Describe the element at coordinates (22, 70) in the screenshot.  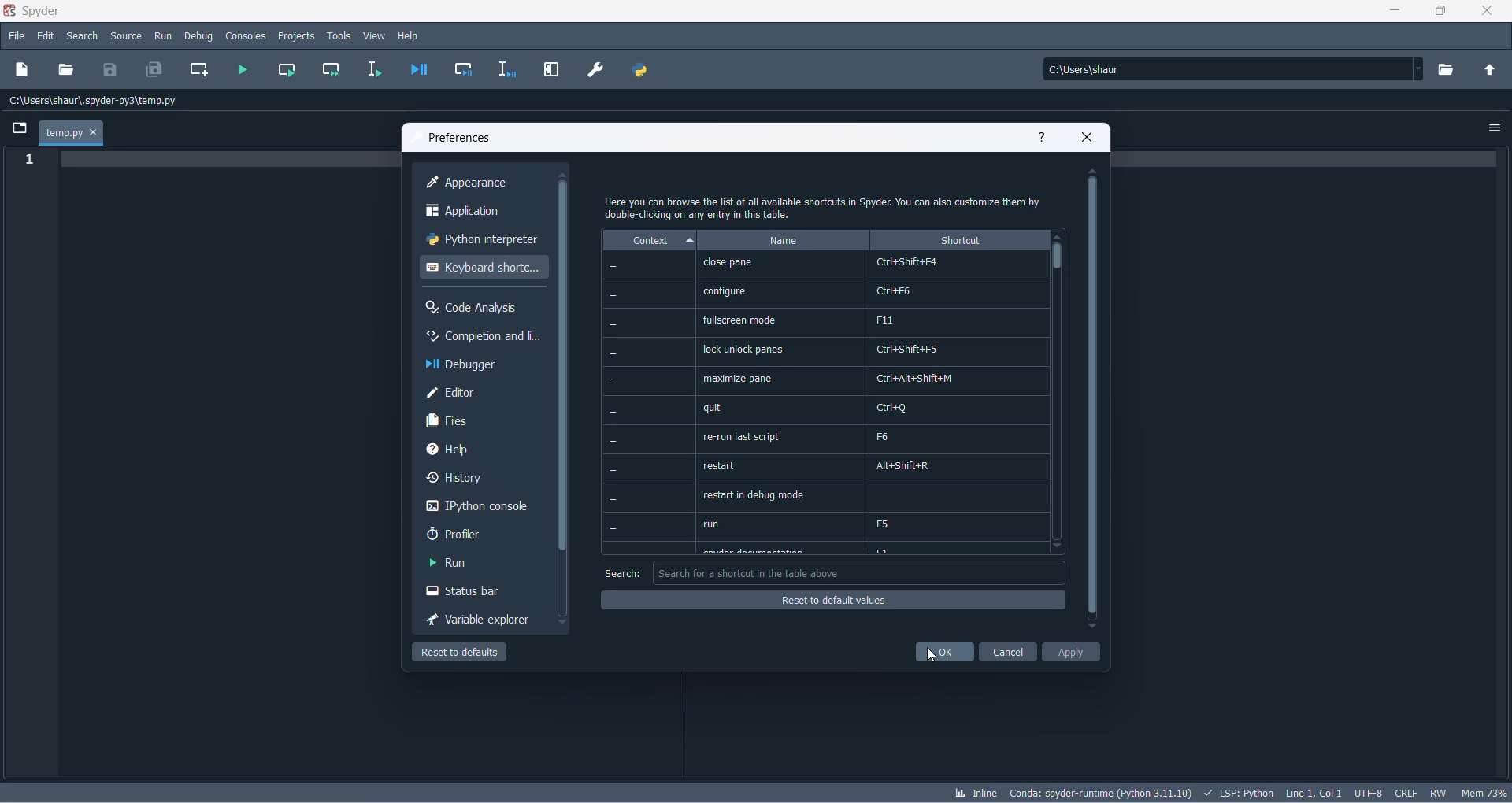
I see `new file` at that location.